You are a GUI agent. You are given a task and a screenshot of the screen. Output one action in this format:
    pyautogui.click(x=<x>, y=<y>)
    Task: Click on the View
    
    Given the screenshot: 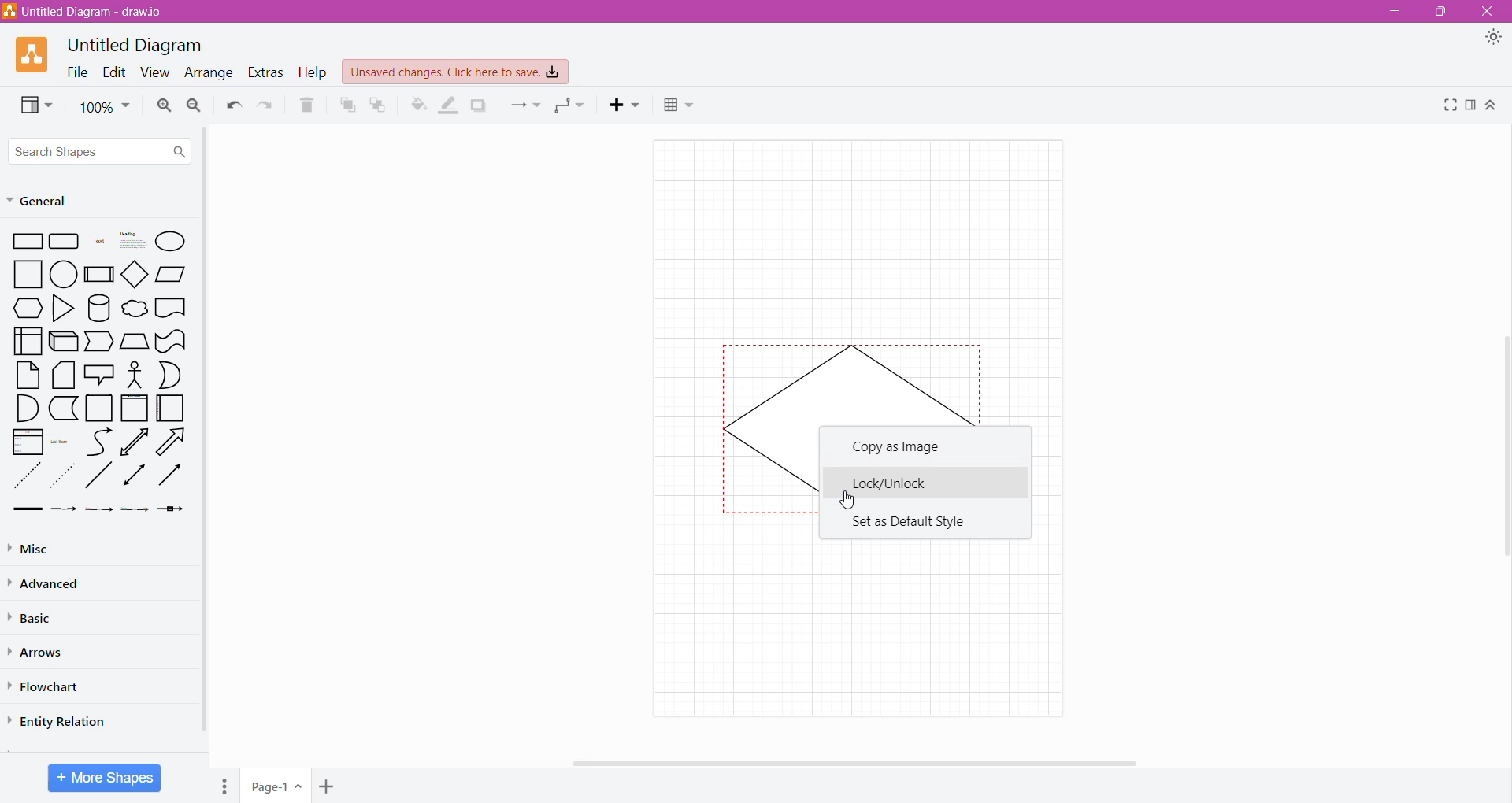 What is the action you would take?
    pyautogui.click(x=154, y=73)
    